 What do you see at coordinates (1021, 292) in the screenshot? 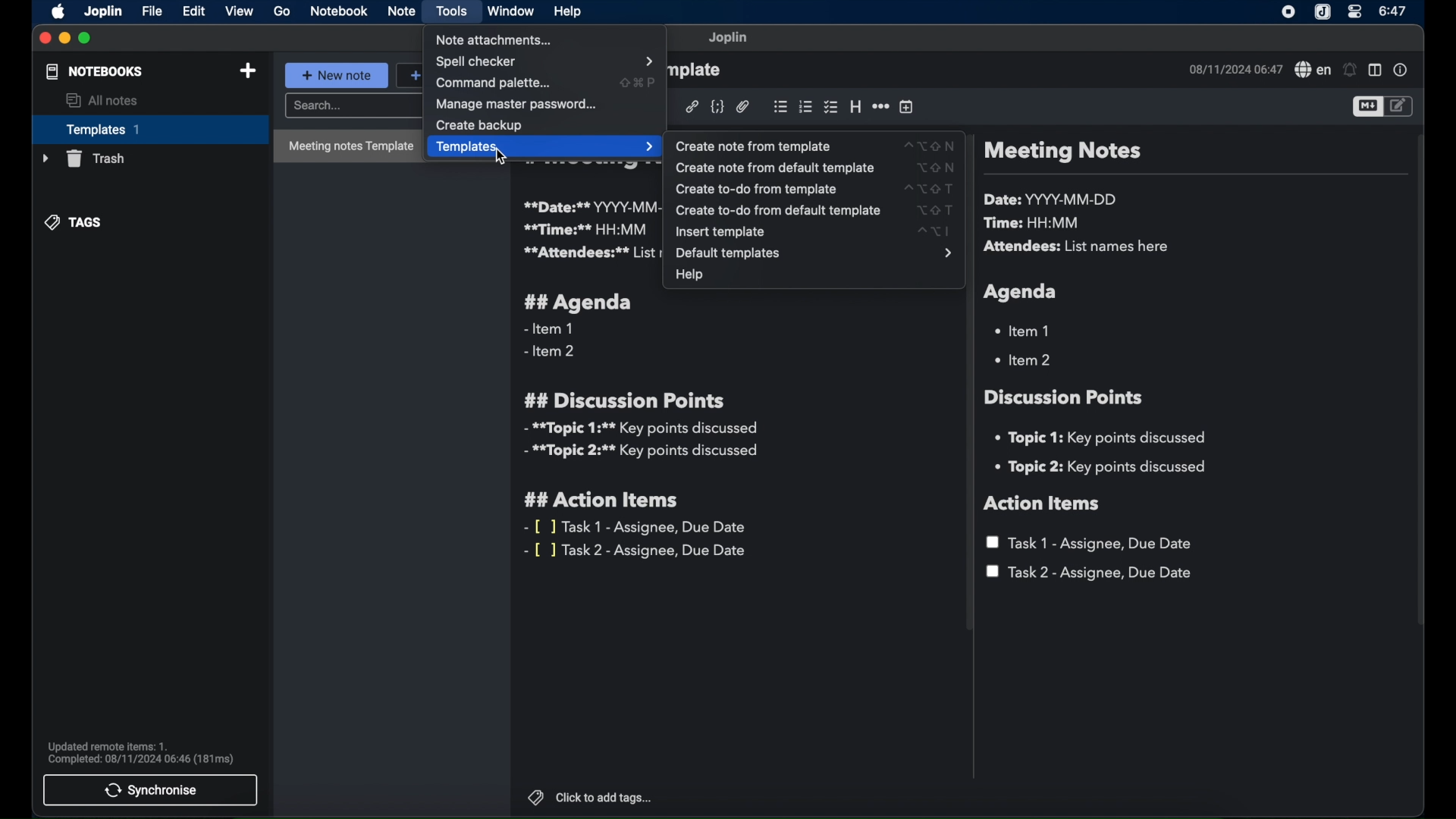
I see `agenda` at bounding box center [1021, 292].